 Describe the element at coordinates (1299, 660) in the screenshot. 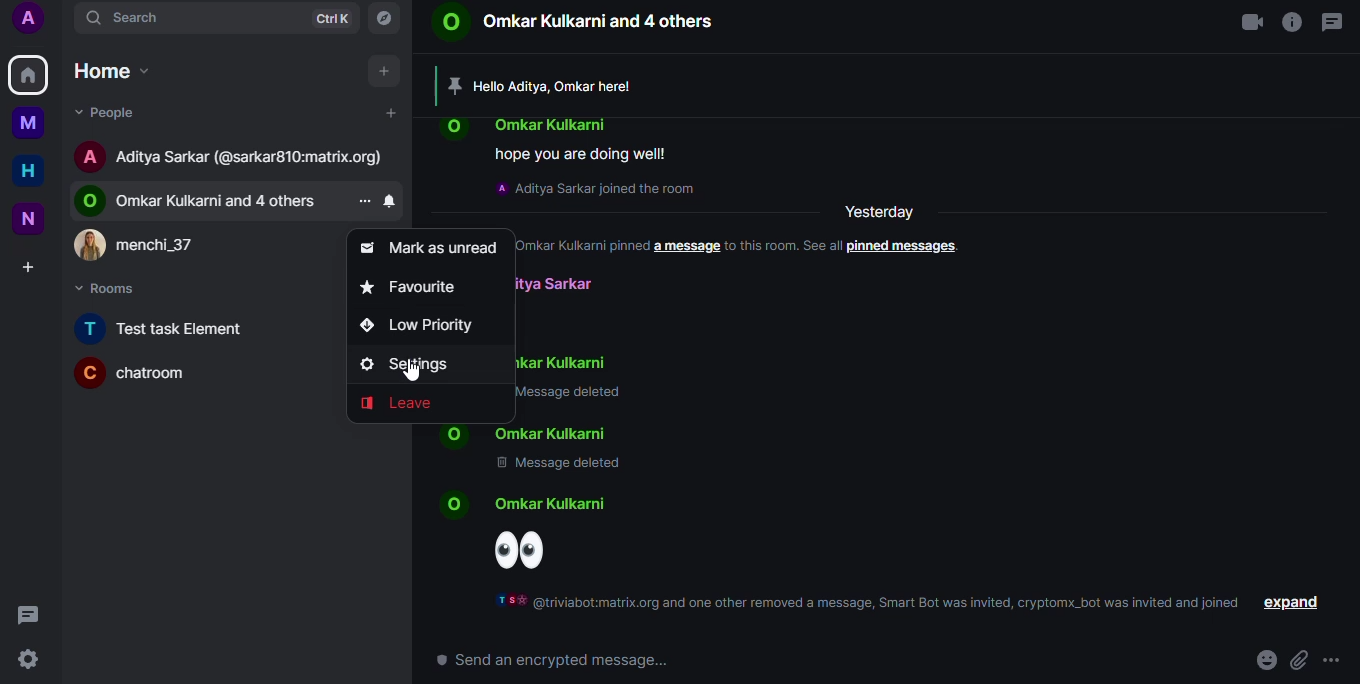

I see `attach` at that location.